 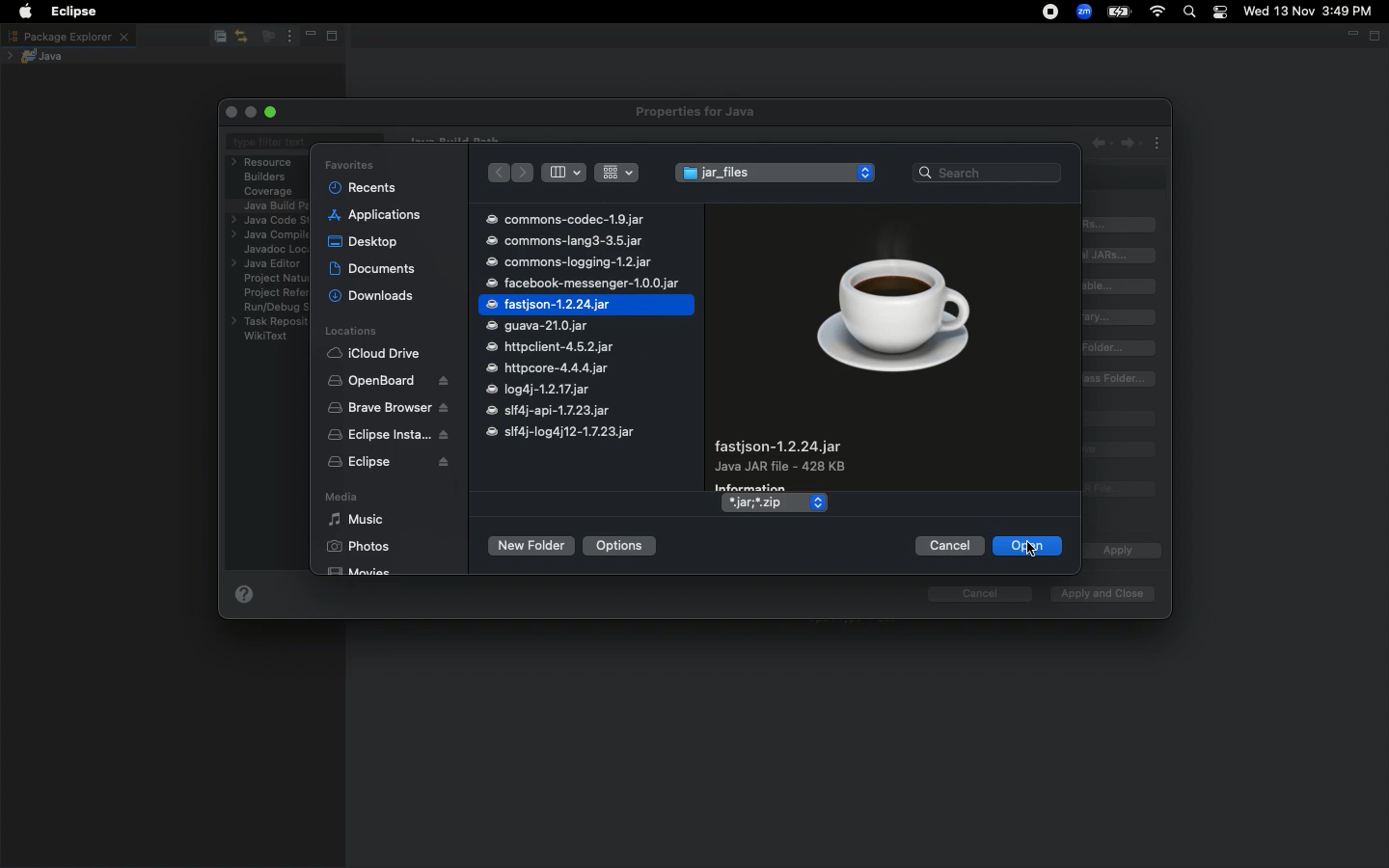 What do you see at coordinates (40, 56) in the screenshot?
I see `Java project` at bounding box center [40, 56].